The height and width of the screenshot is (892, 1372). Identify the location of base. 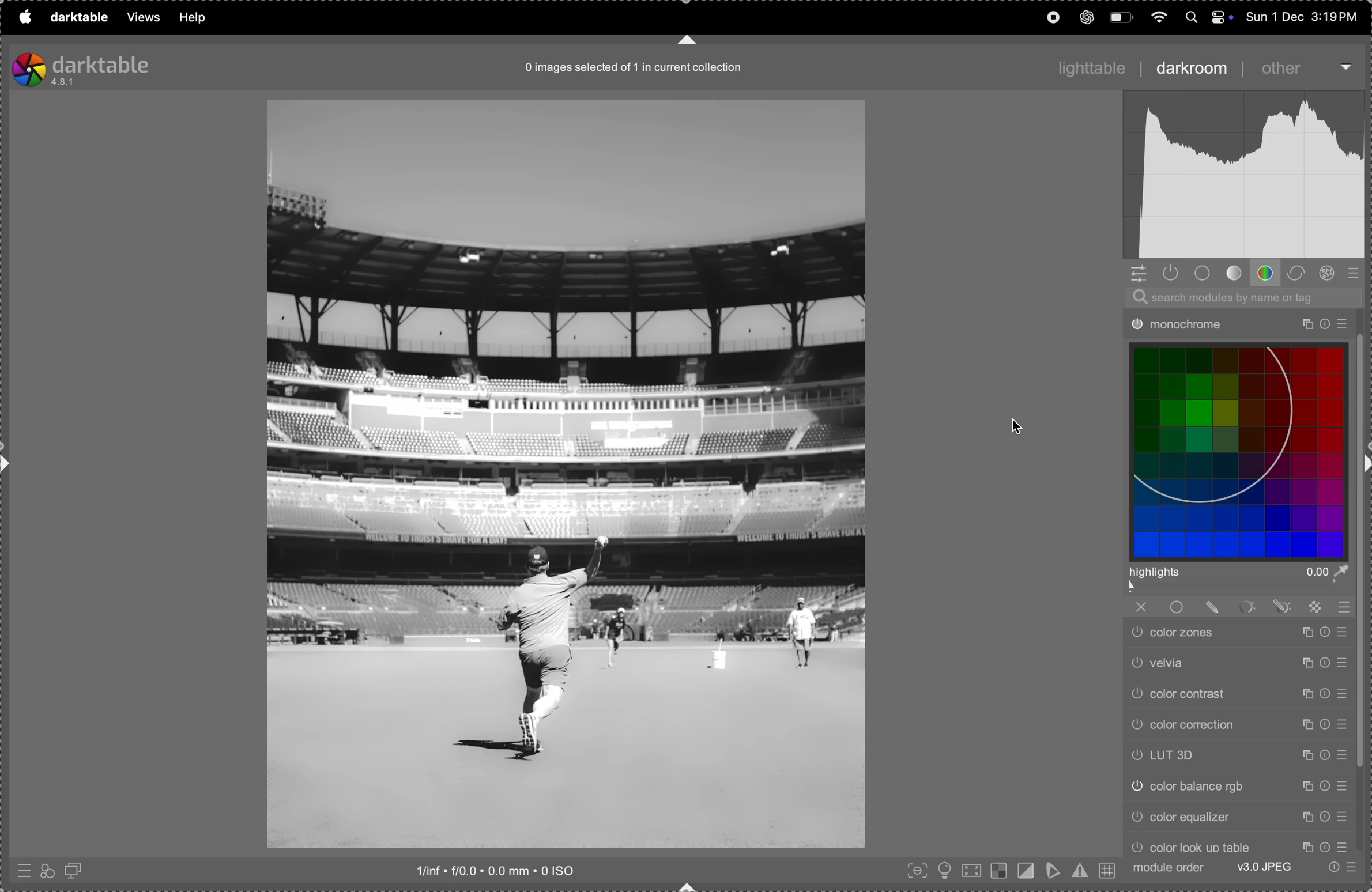
(1205, 274).